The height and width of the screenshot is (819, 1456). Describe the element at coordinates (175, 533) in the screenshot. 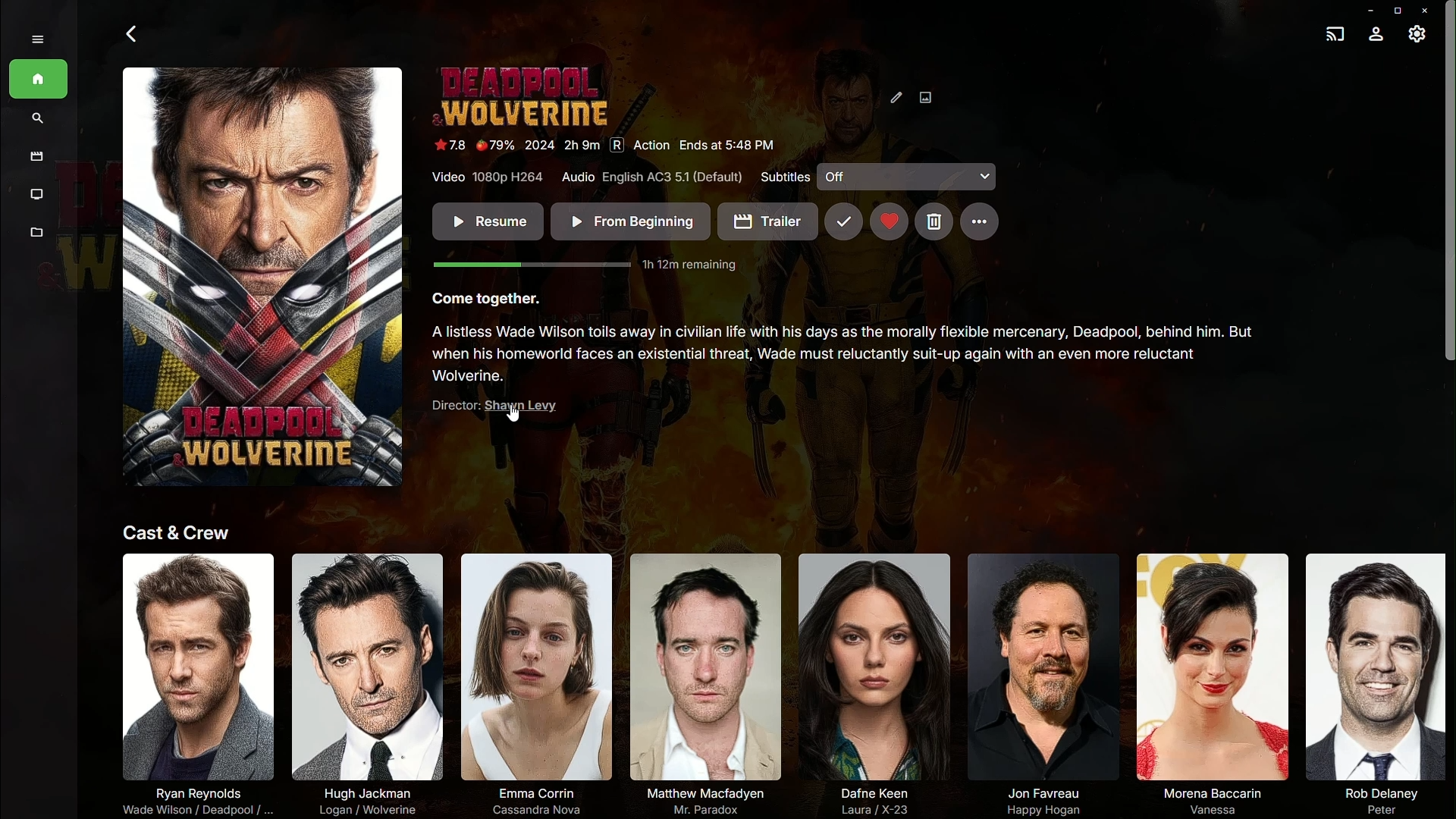

I see `Cast and Crew` at that location.